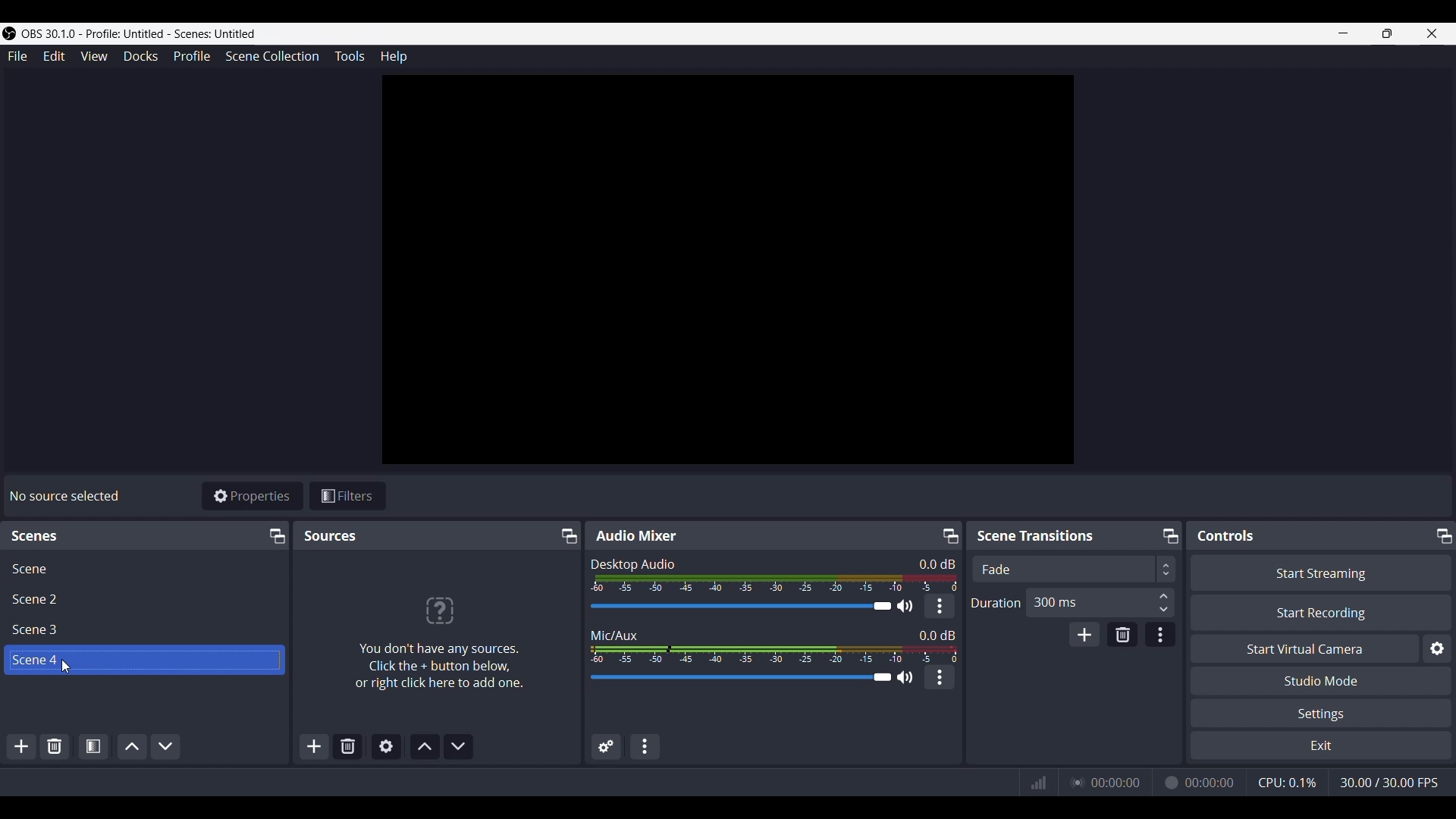  I want to click on Frame Rate (FPS), so click(1389, 783).